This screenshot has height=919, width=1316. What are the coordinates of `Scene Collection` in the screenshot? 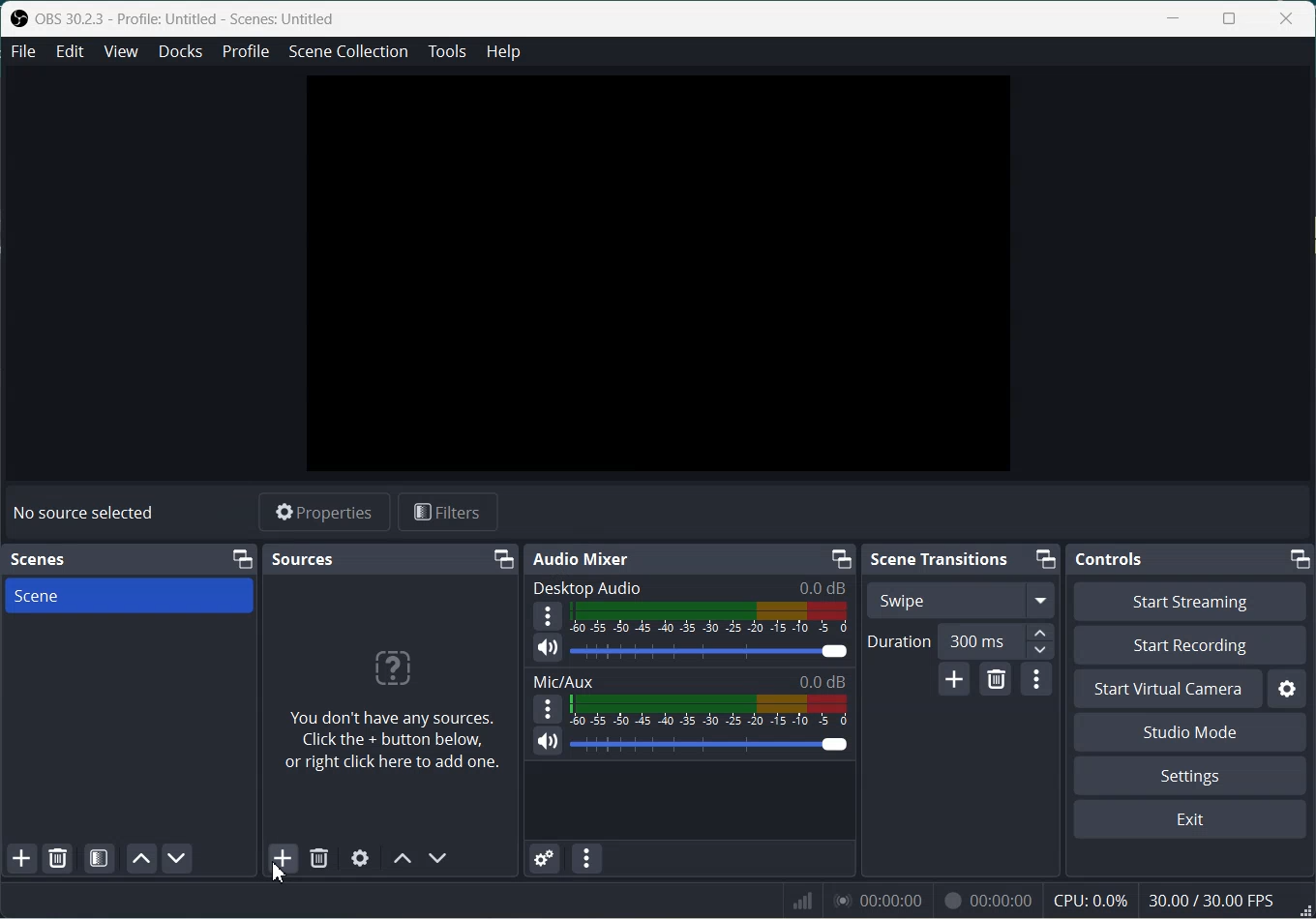 It's located at (349, 52).